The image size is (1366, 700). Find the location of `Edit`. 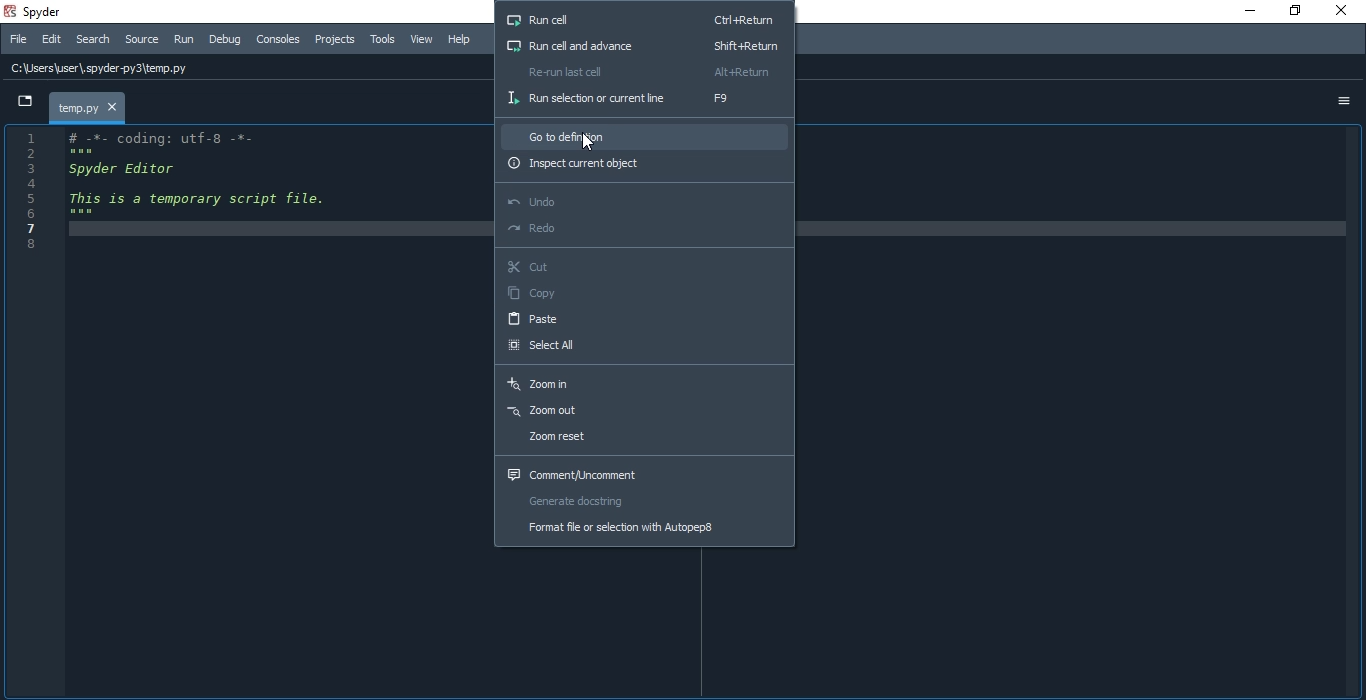

Edit is located at coordinates (54, 40).